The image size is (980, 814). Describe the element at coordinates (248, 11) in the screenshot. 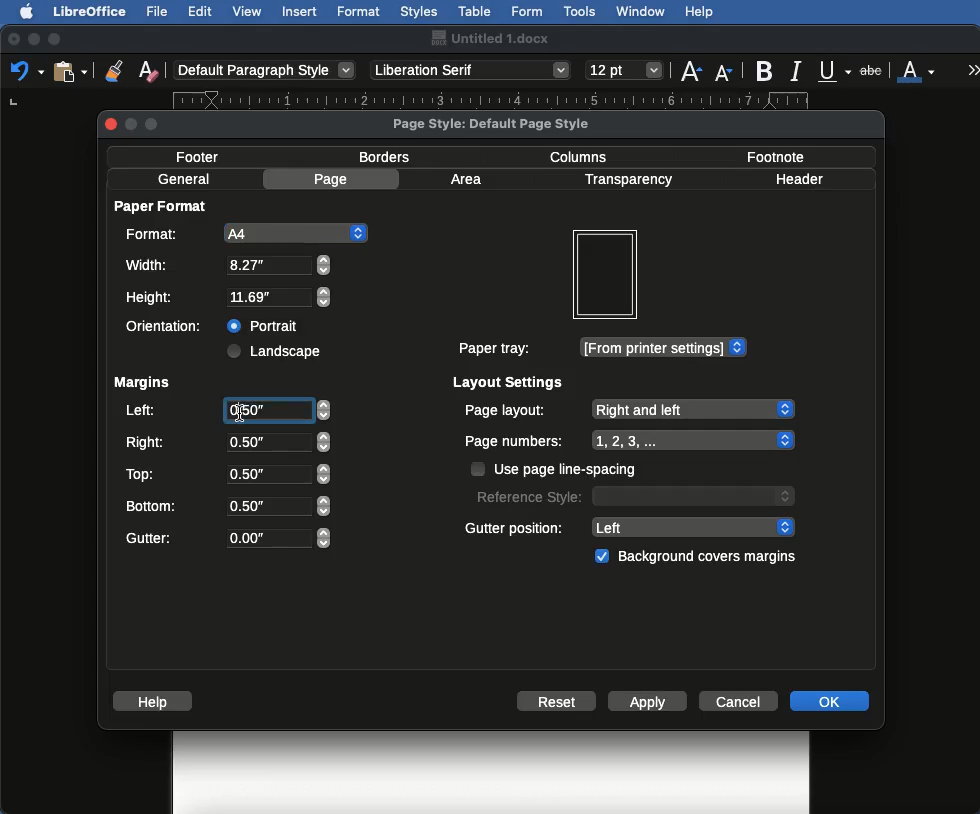

I see `View` at that location.